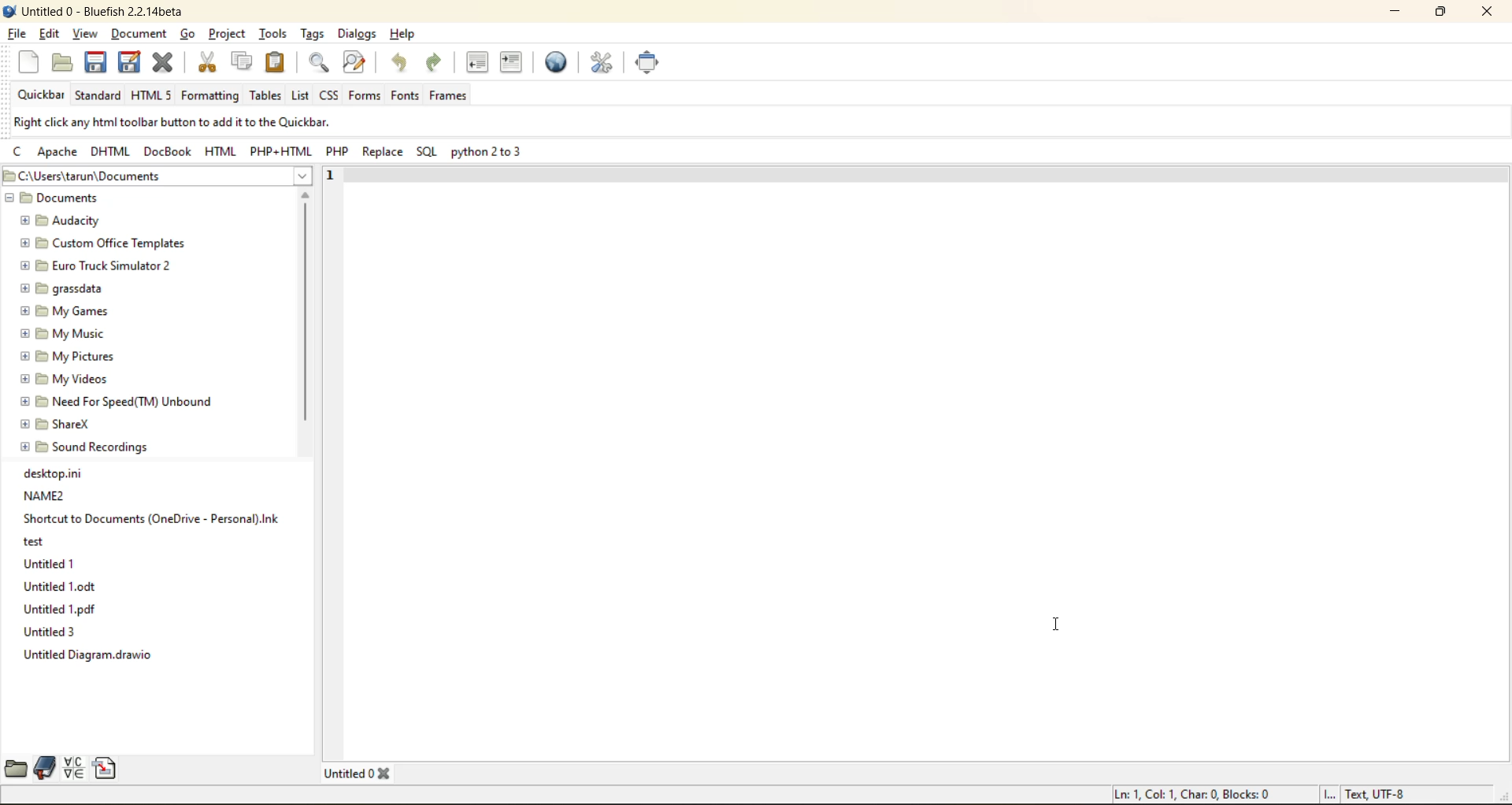 This screenshot has height=805, width=1512. I want to click on quickbar, so click(43, 95).